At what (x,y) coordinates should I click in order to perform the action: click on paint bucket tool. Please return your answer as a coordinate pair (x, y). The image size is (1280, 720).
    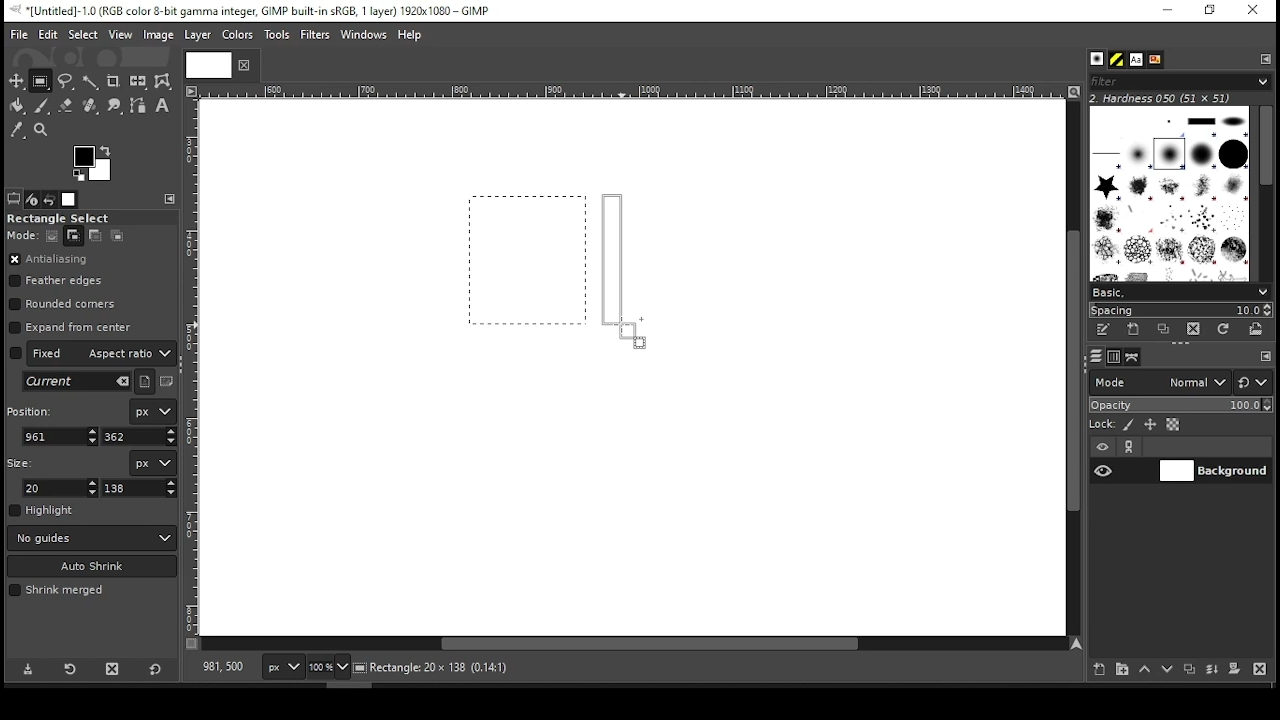
    Looking at the image, I should click on (18, 105).